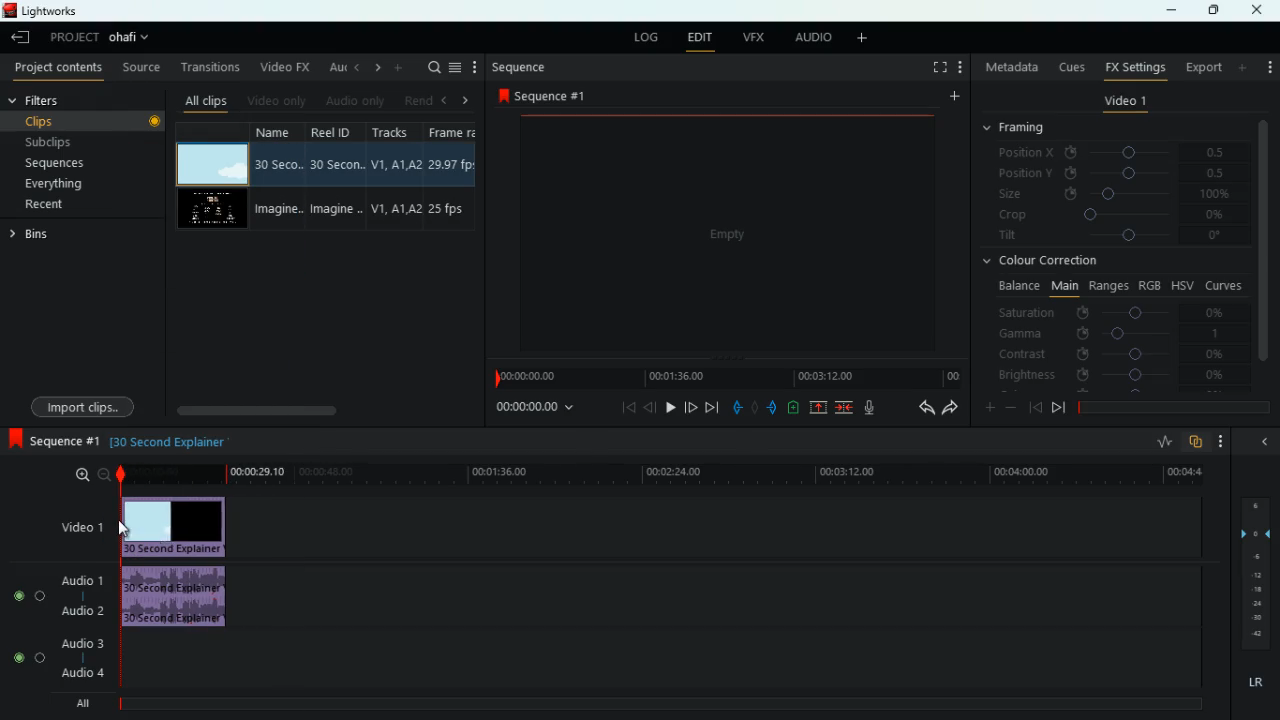 The width and height of the screenshot is (1280, 720). What do you see at coordinates (736, 406) in the screenshot?
I see `pull` at bounding box center [736, 406].